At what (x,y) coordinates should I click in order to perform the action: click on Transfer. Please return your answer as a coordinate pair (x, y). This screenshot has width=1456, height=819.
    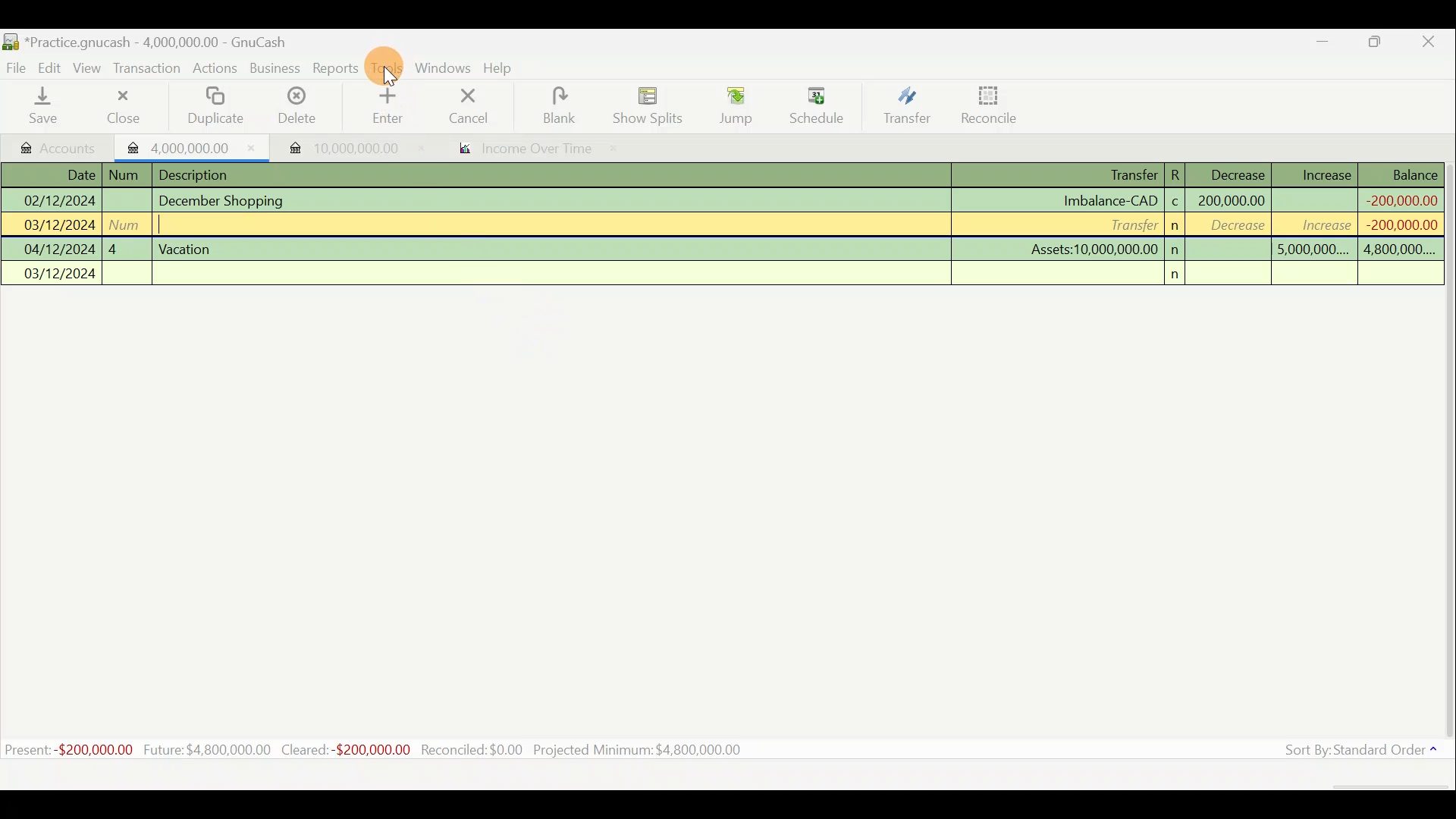
    Looking at the image, I should click on (1129, 224).